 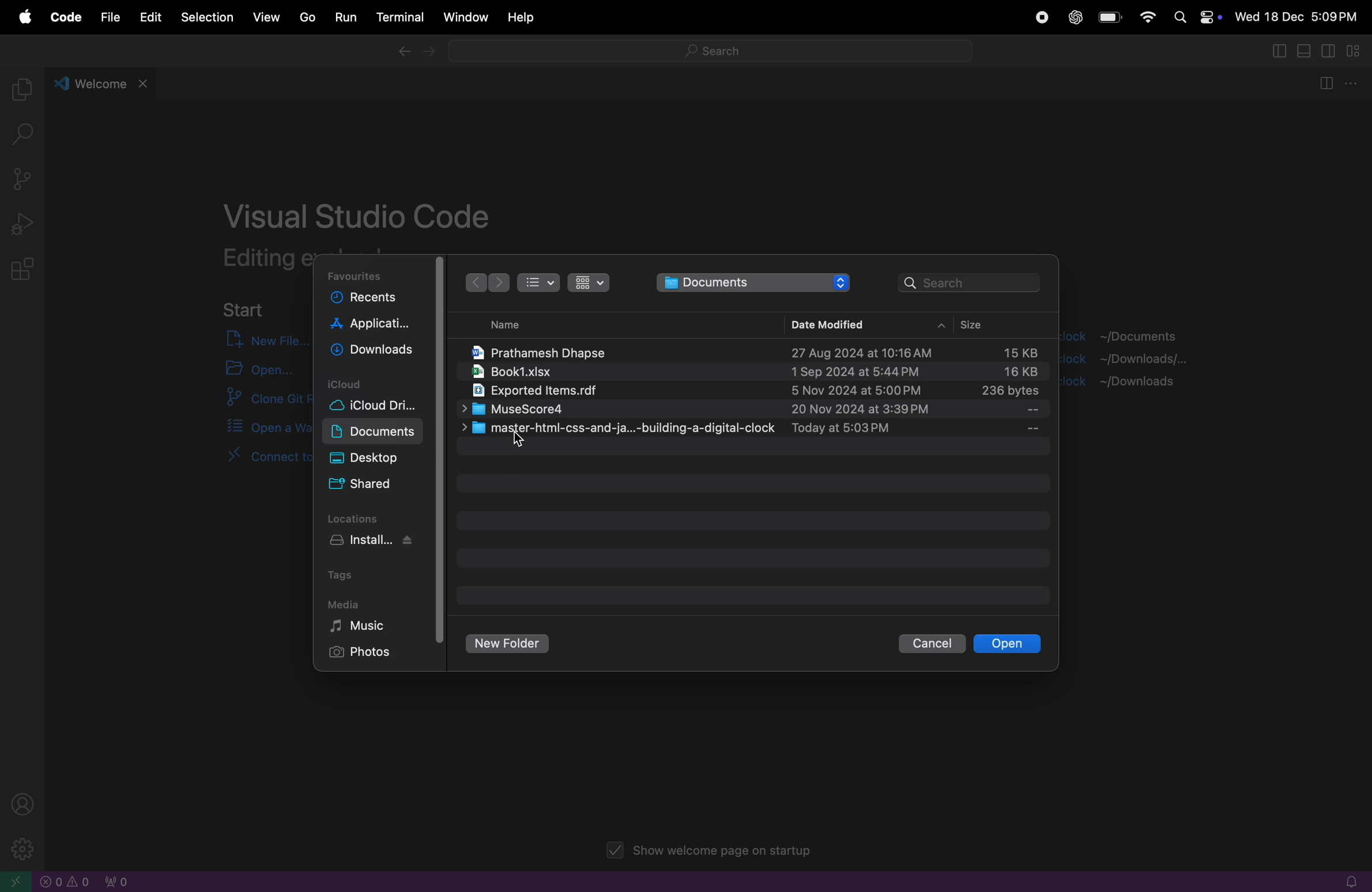 What do you see at coordinates (750, 373) in the screenshot?
I see `book xlsx` at bounding box center [750, 373].